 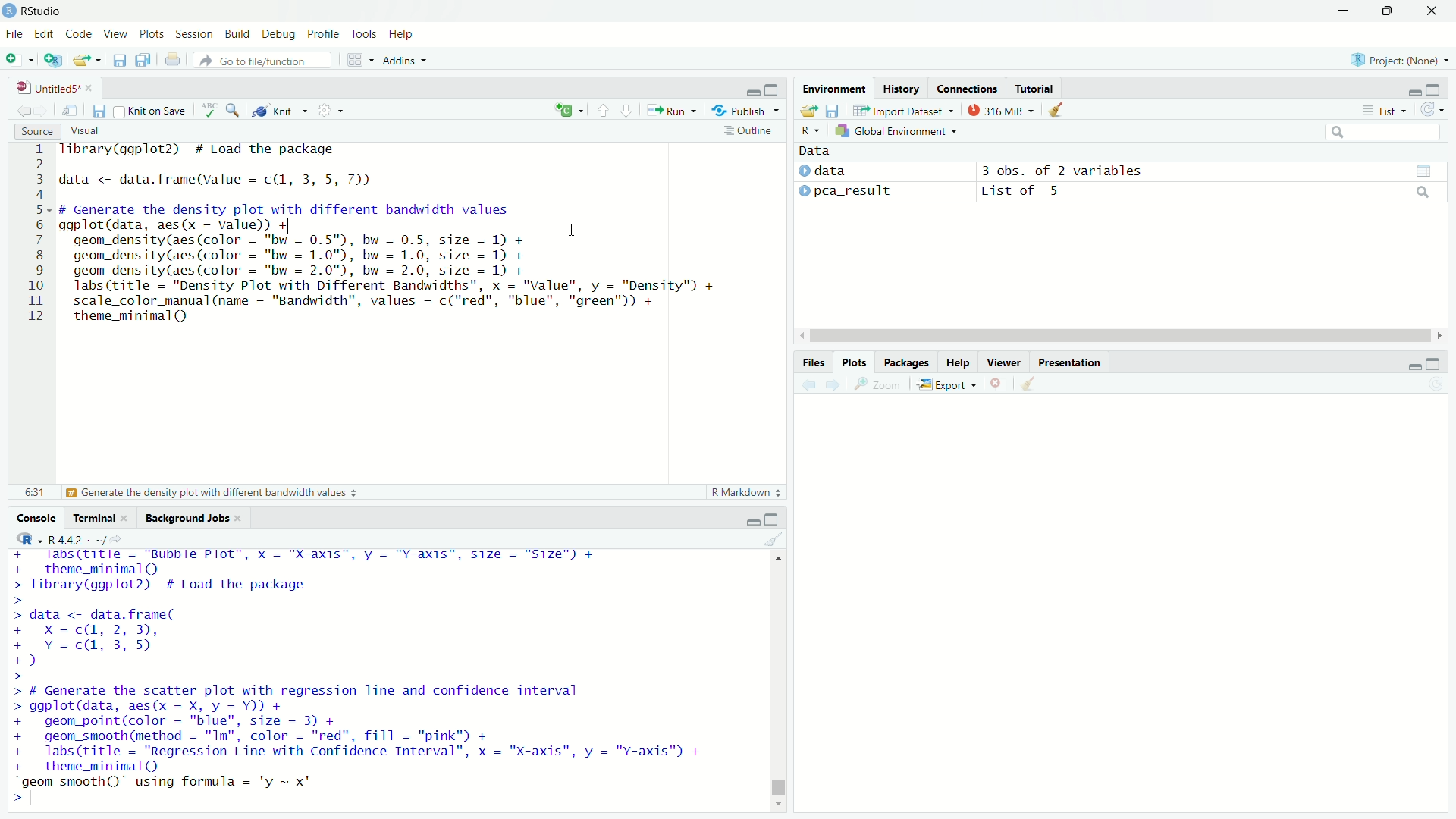 I want to click on maximize, so click(x=770, y=518).